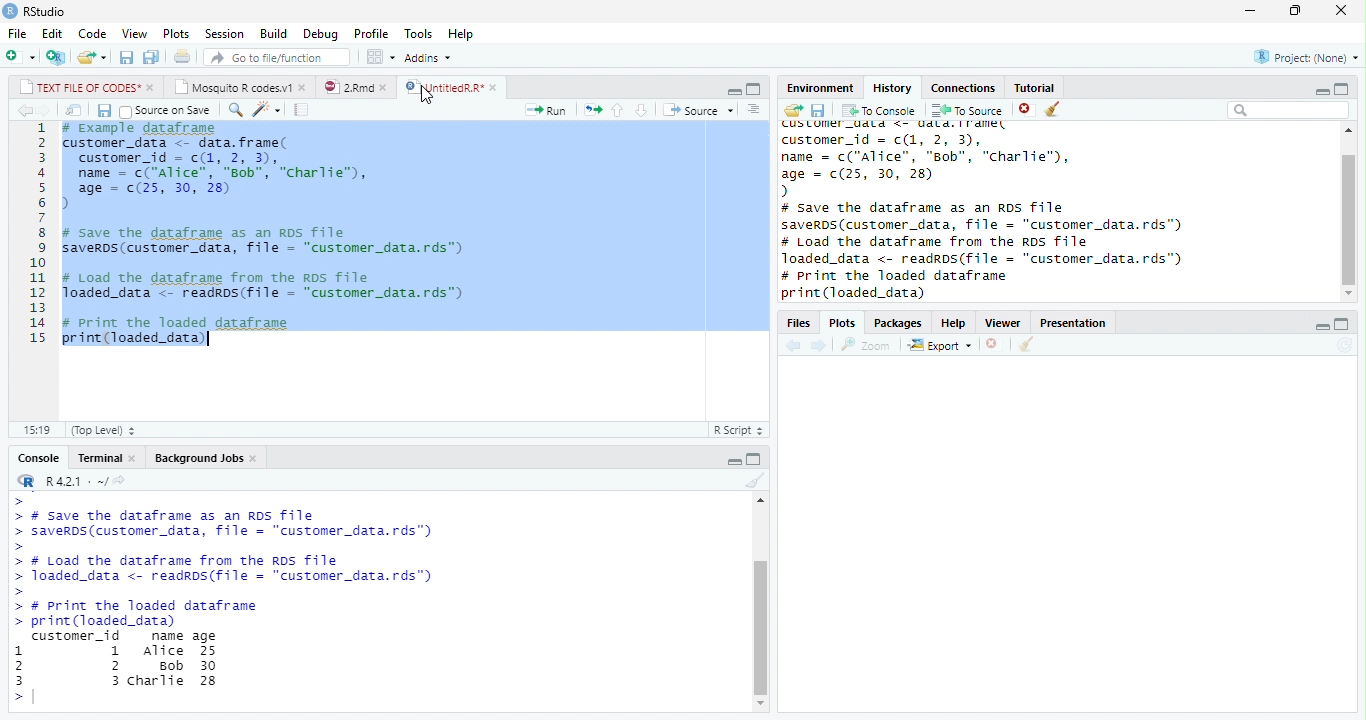 The image size is (1366, 720). I want to click on 1 2 3, so click(21, 668).